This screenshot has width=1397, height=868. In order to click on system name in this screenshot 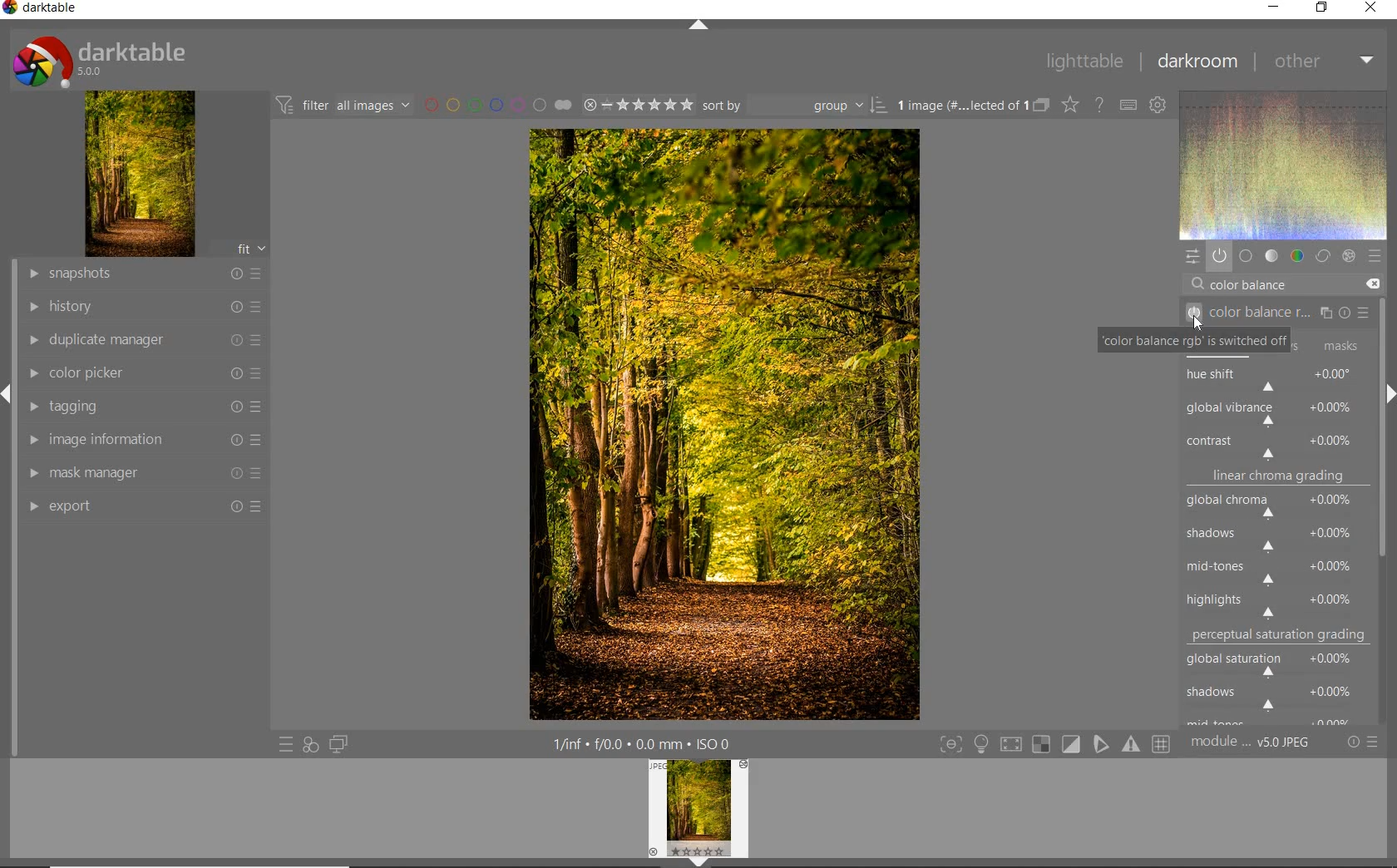, I will do `click(40, 8)`.